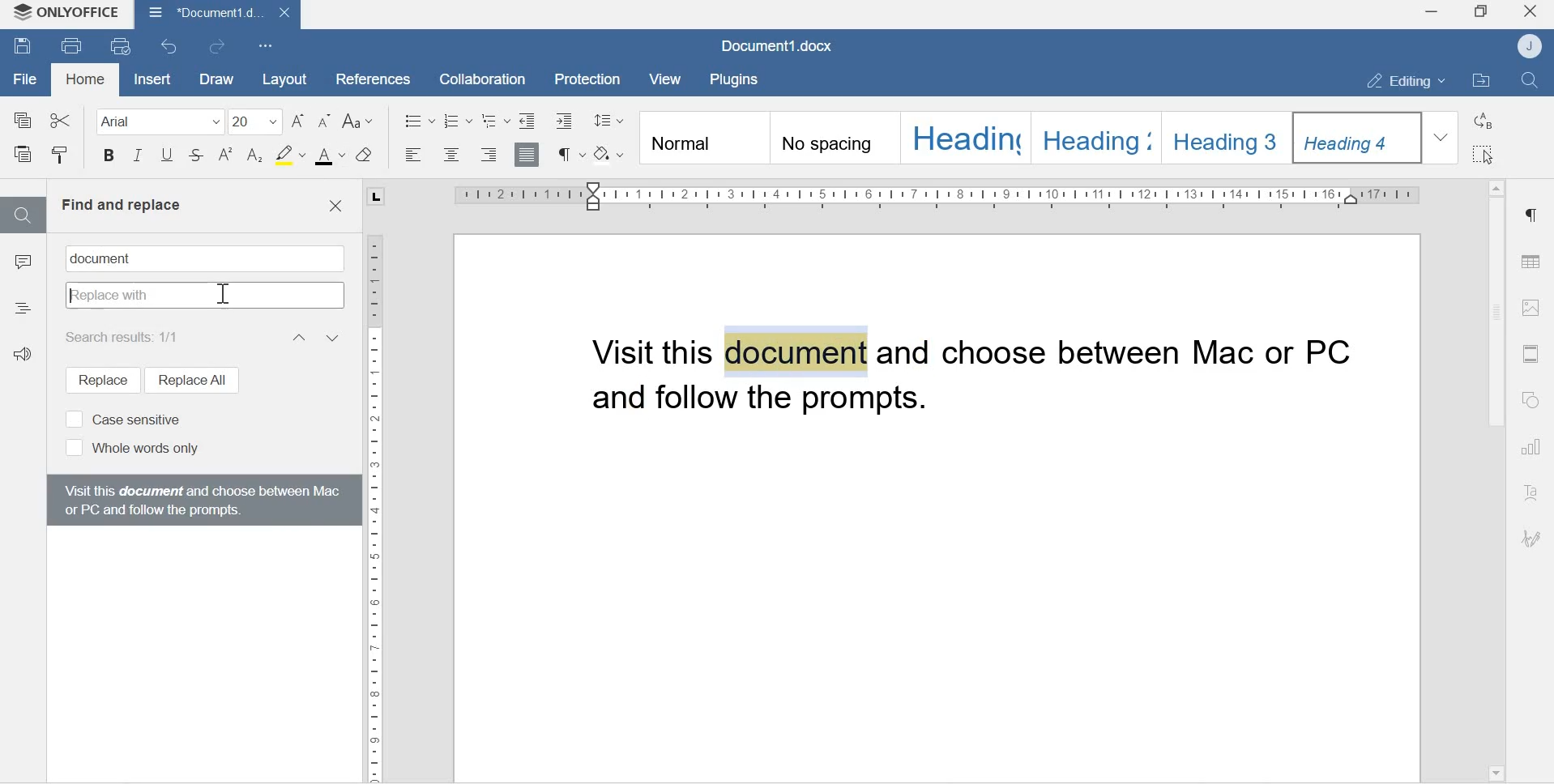 The width and height of the screenshot is (1554, 784). Describe the element at coordinates (197, 157) in the screenshot. I see `Strikethrough` at that location.